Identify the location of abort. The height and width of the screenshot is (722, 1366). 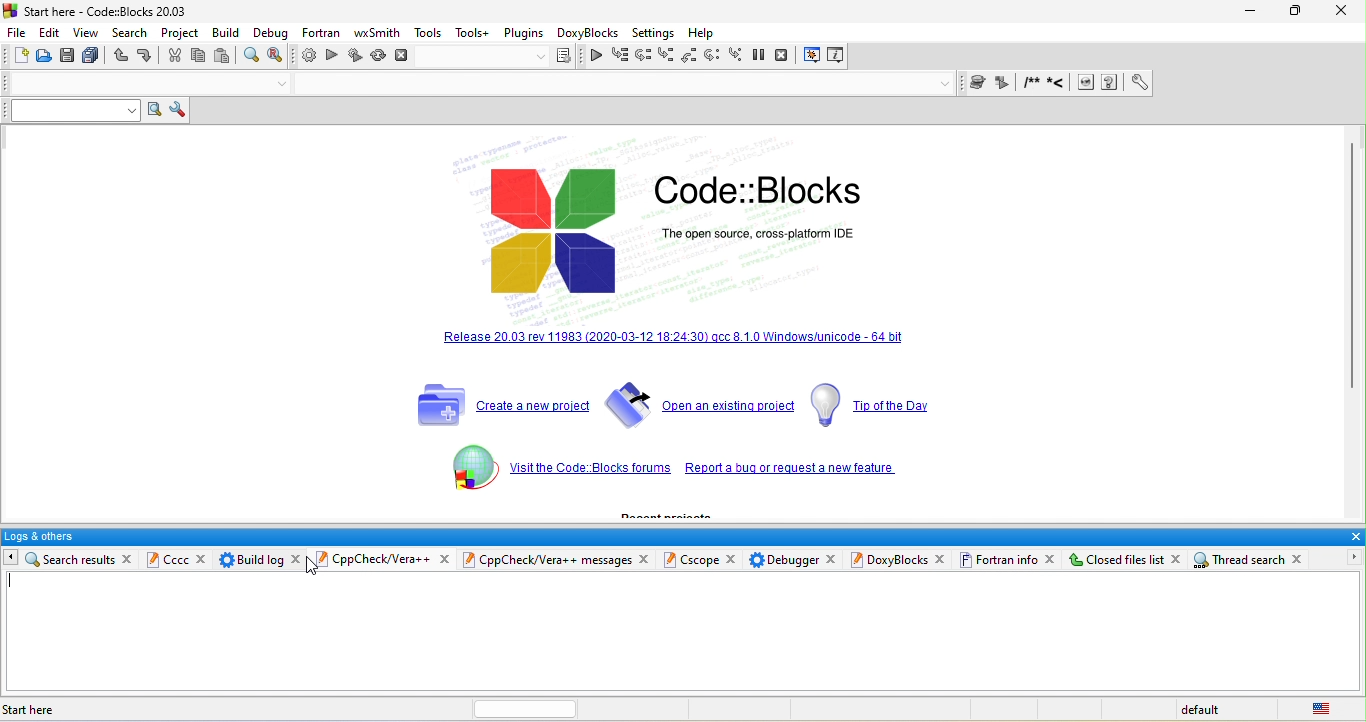
(404, 57).